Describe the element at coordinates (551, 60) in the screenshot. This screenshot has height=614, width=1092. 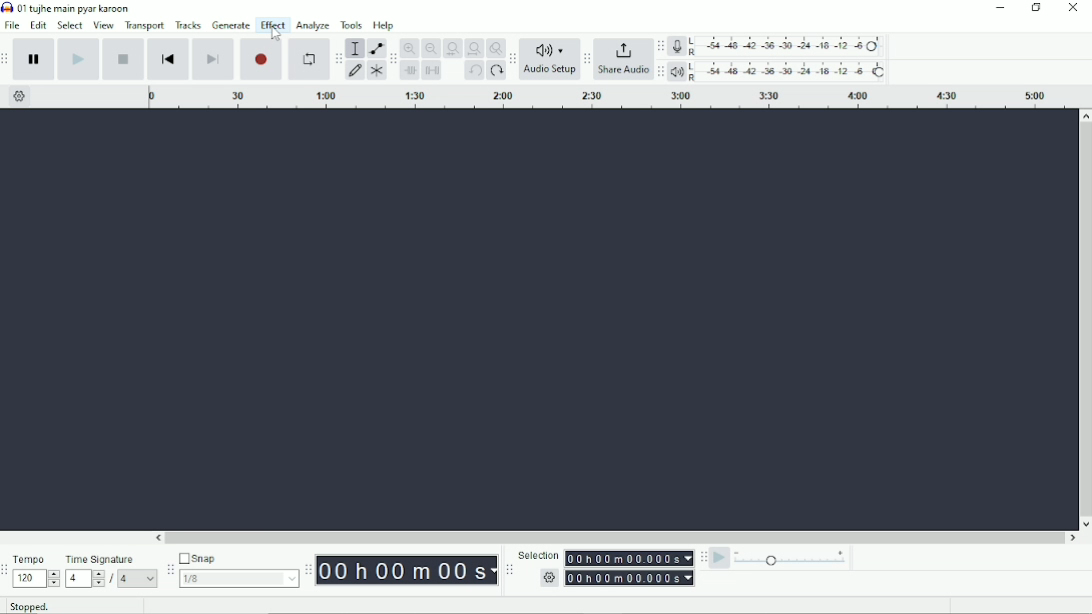
I see `Audio Setup` at that location.